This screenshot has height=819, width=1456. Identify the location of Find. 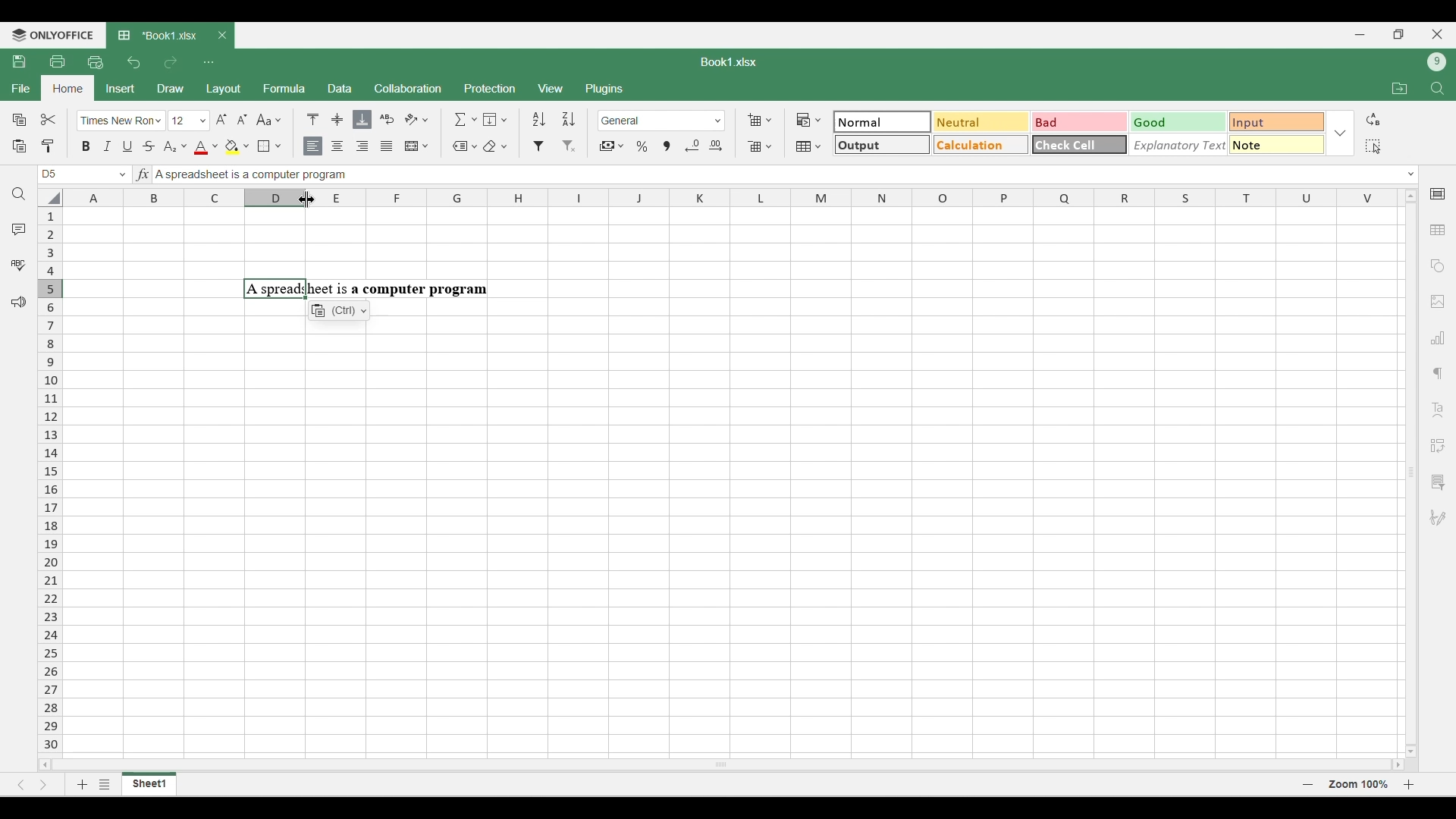
(1439, 89).